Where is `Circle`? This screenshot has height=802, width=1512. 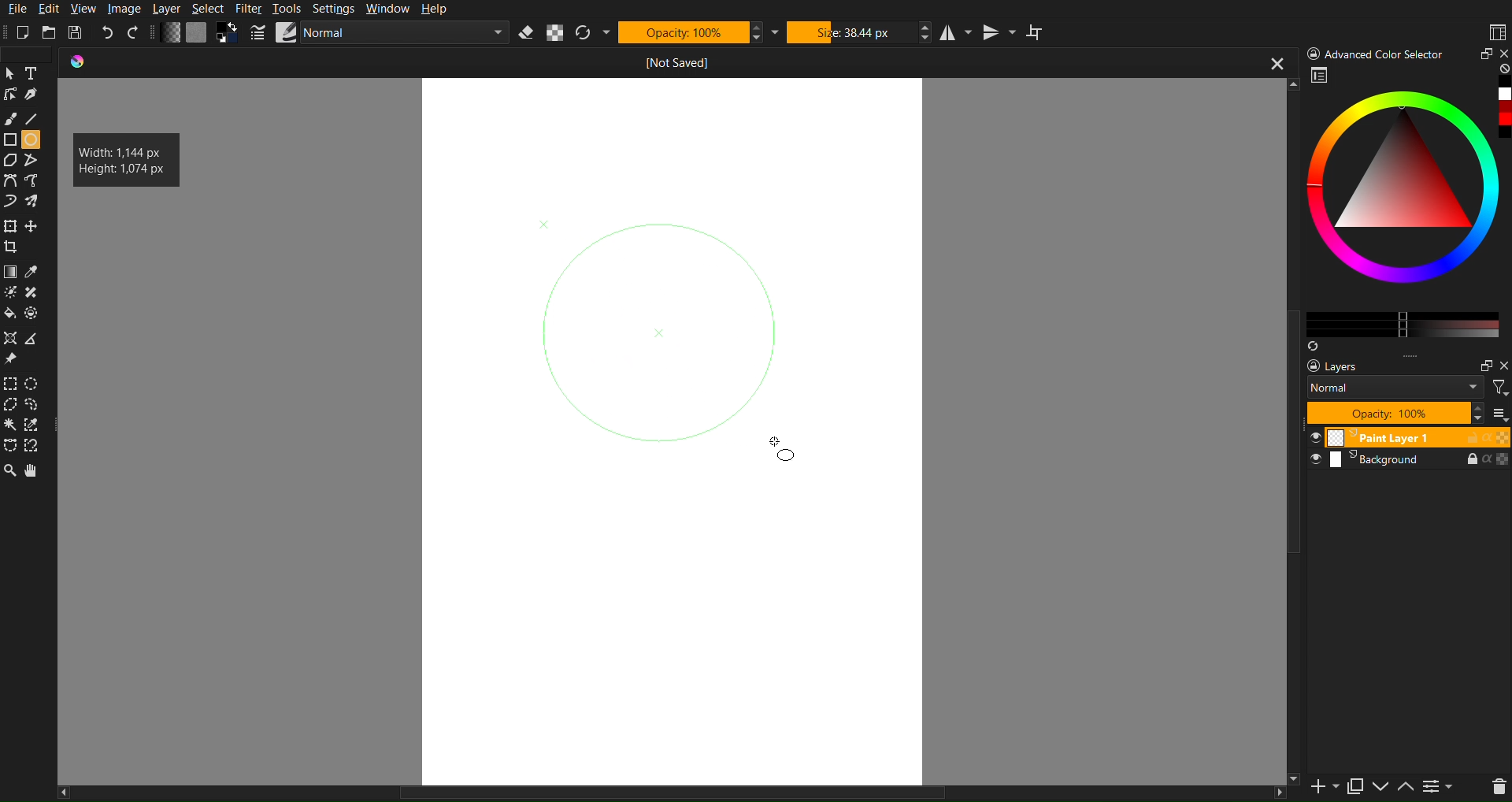
Circle is located at coordinates (33, 139).